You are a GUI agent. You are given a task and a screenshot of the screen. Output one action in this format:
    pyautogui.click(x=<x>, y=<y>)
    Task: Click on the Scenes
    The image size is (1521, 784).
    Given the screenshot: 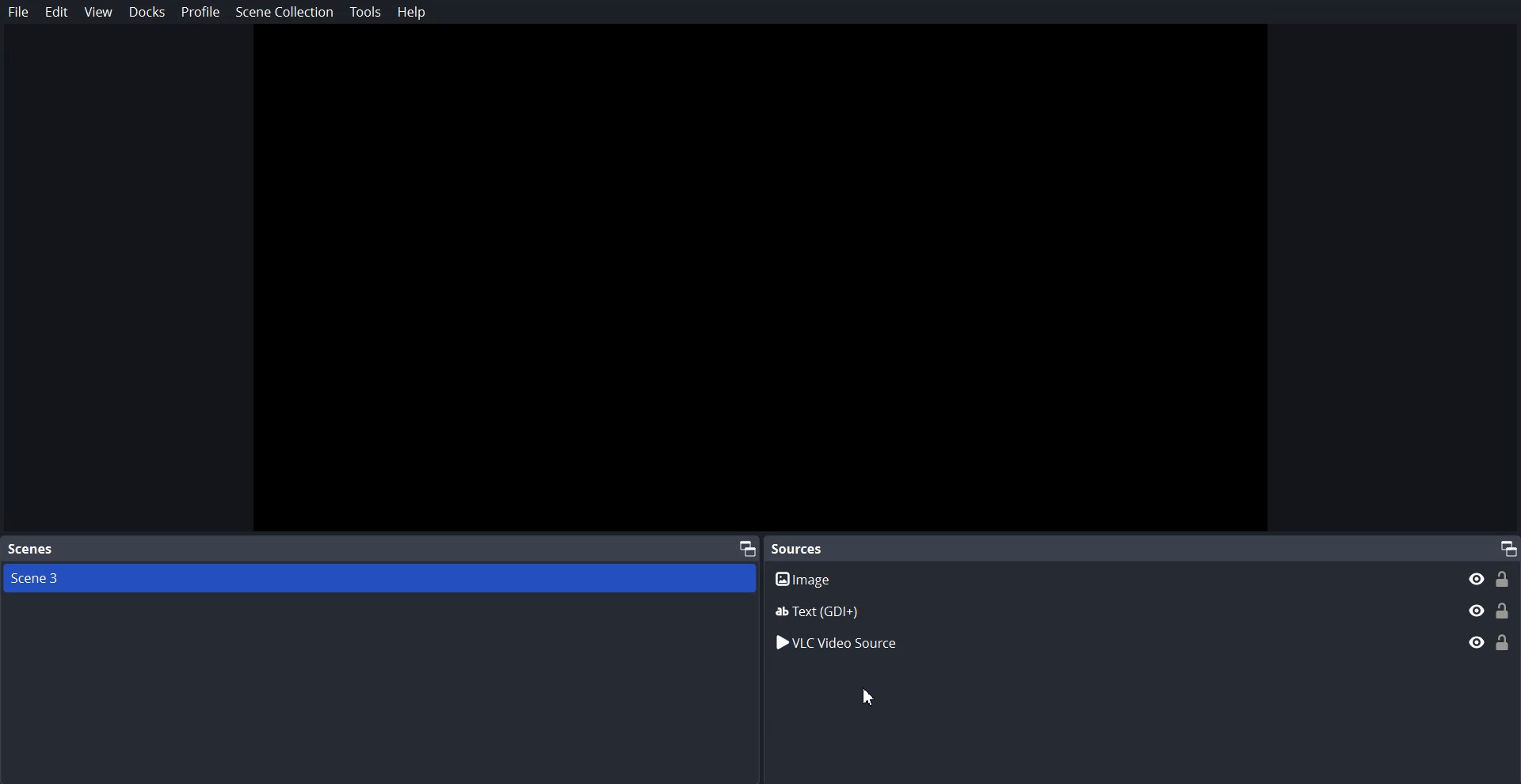 What is the action you would take?
    pyautogui.click(x=30, y=550)
    